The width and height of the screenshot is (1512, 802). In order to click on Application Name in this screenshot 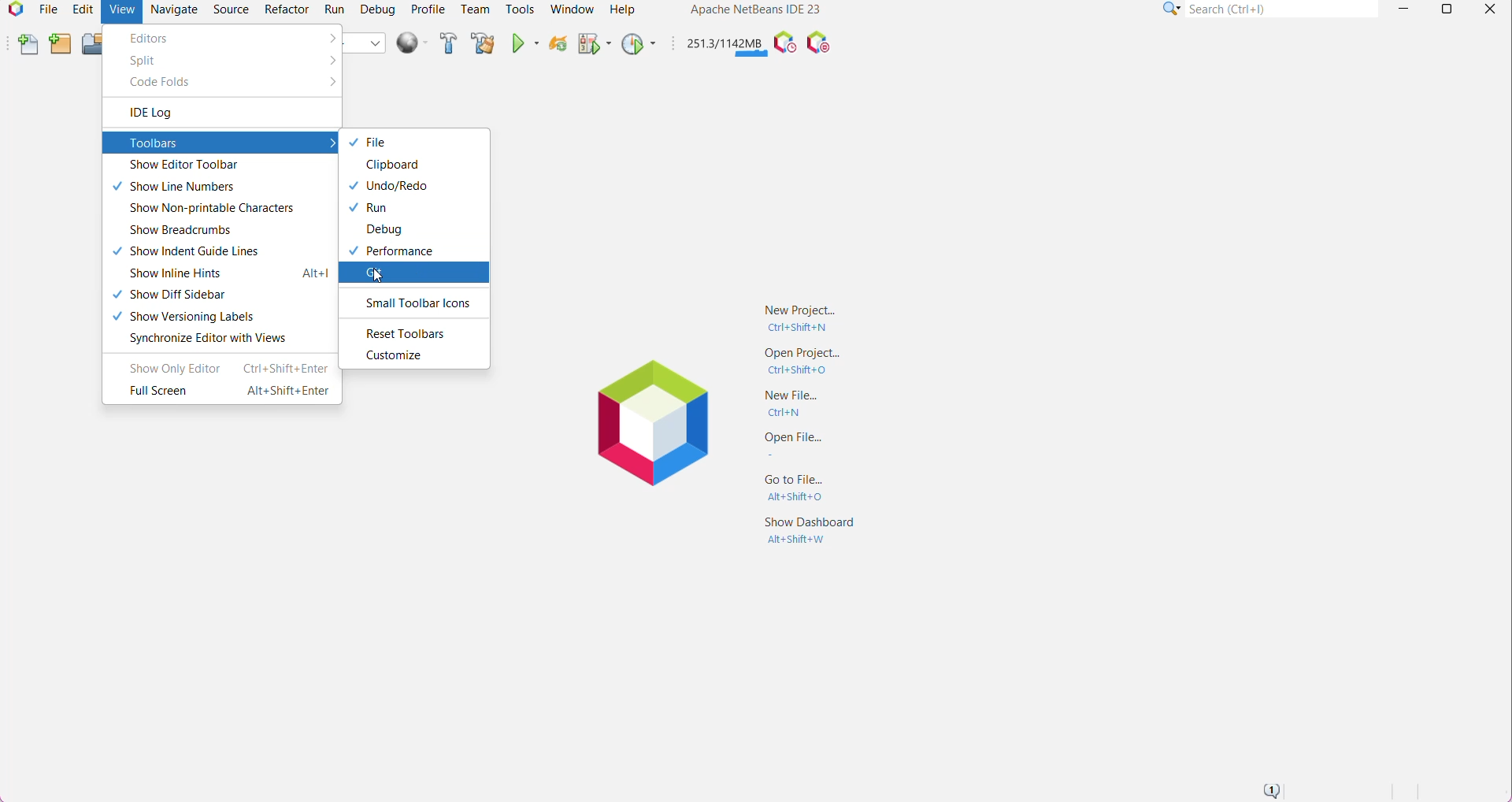, I will do `click(754, 9)`.